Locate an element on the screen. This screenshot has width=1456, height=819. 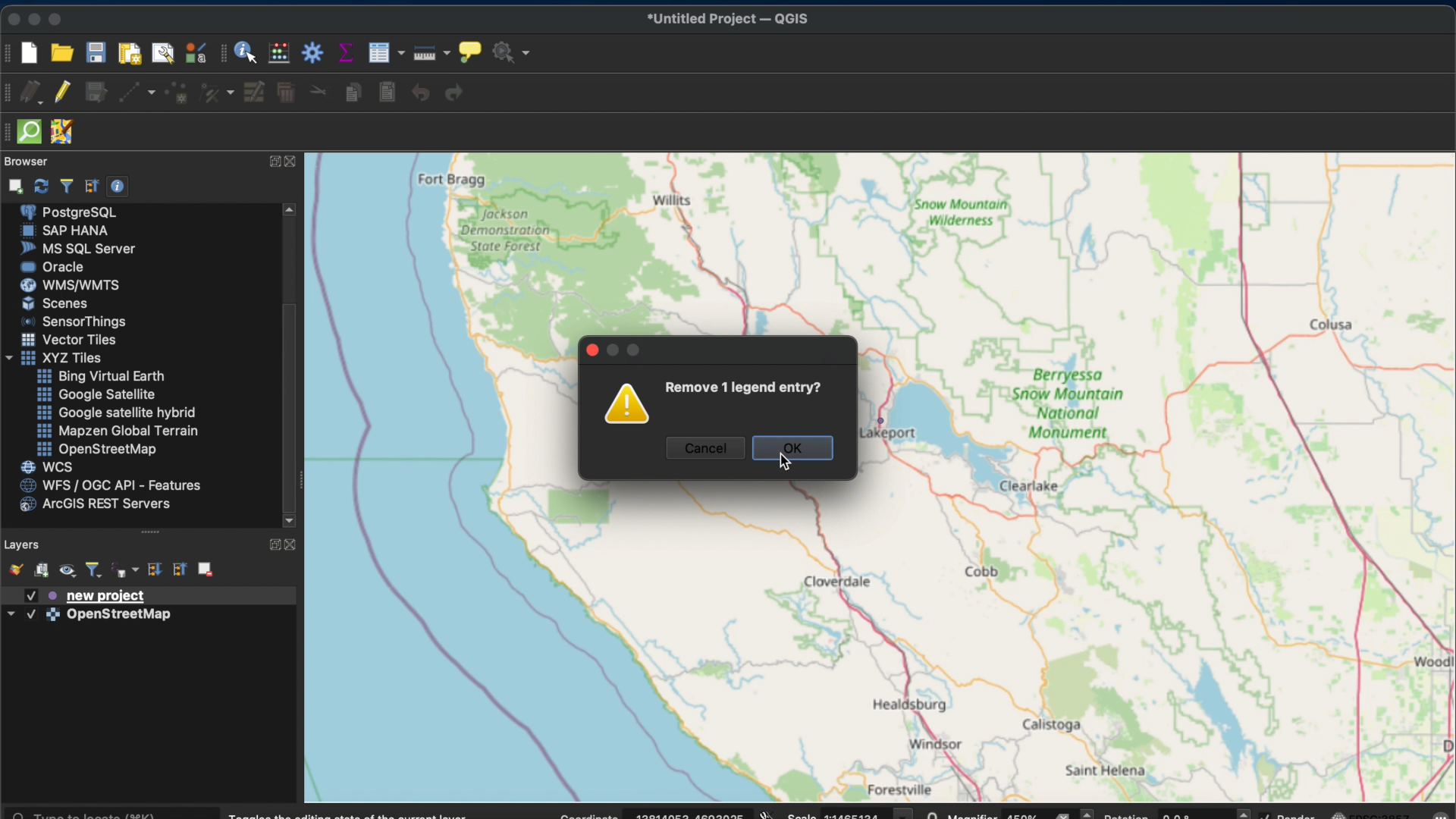
bing virtual earth is located at coordinates (99, 376).